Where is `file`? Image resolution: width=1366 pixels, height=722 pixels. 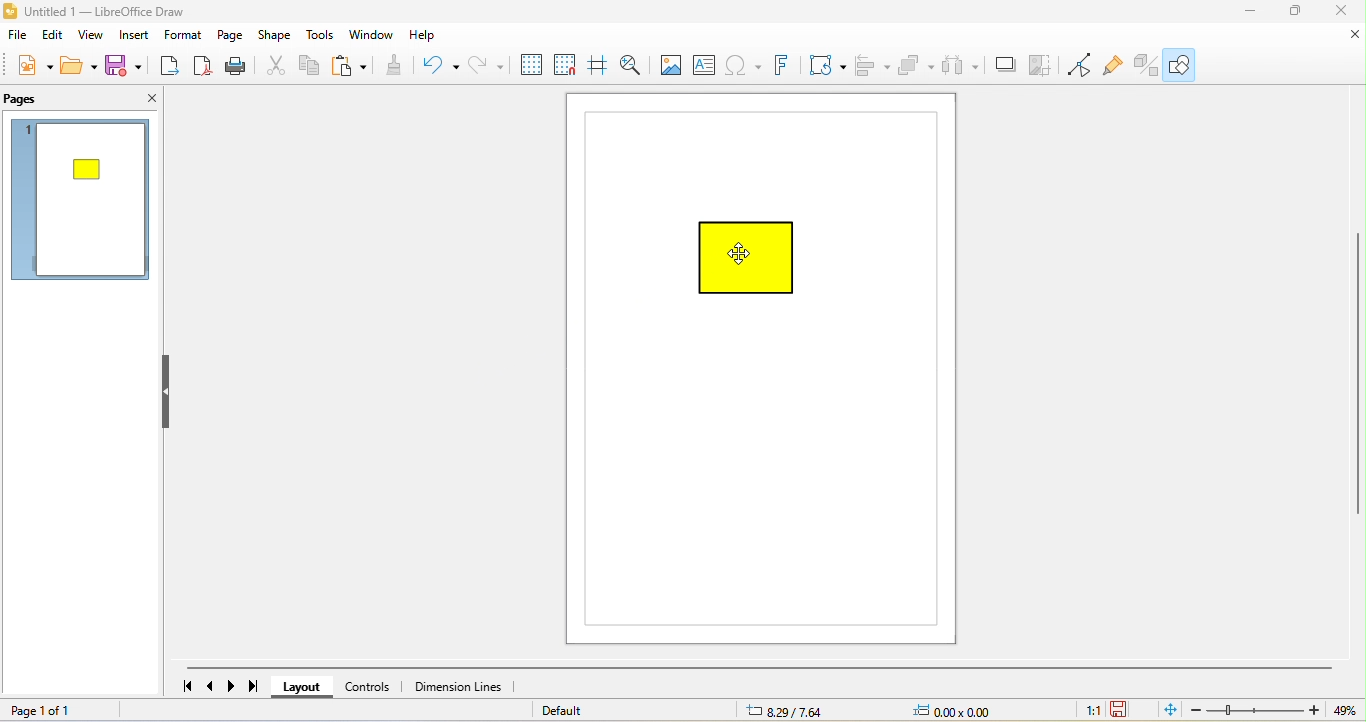 file is located at coordinates (19, 34).